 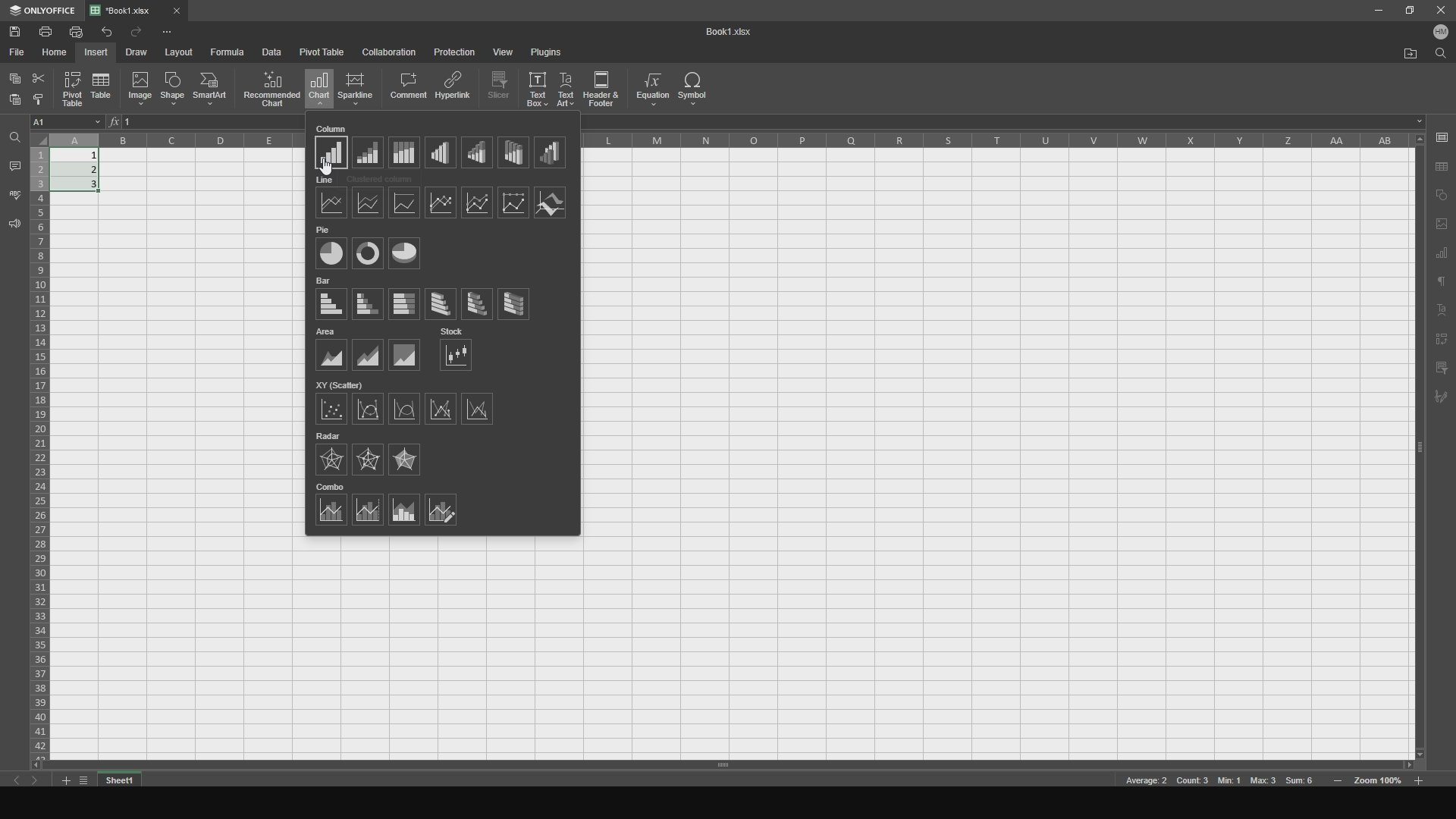 I want to click on onlyoffice, so click(x=42, y=11).